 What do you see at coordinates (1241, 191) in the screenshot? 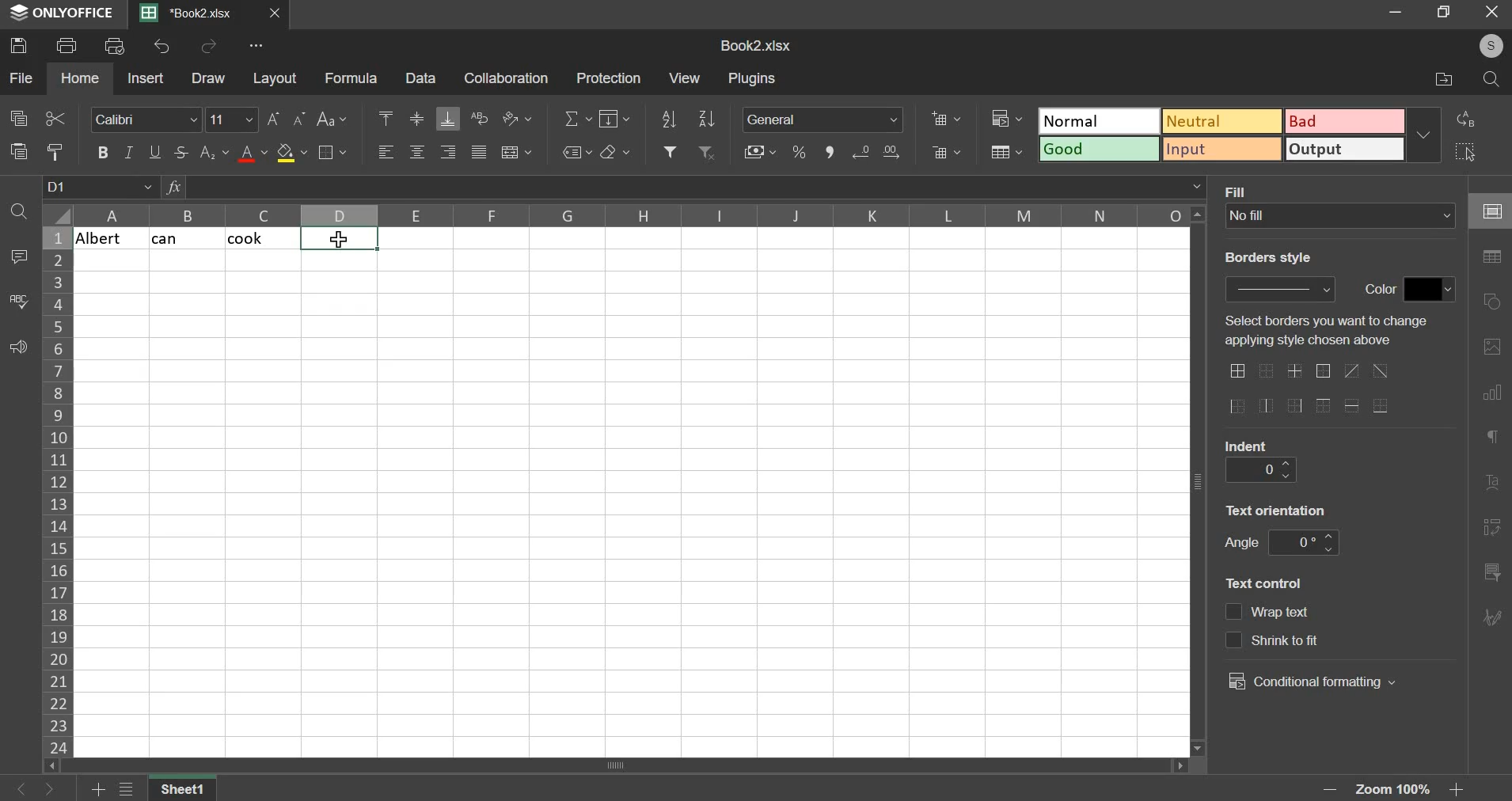
I see `text` at bounding box center [1241, 191].